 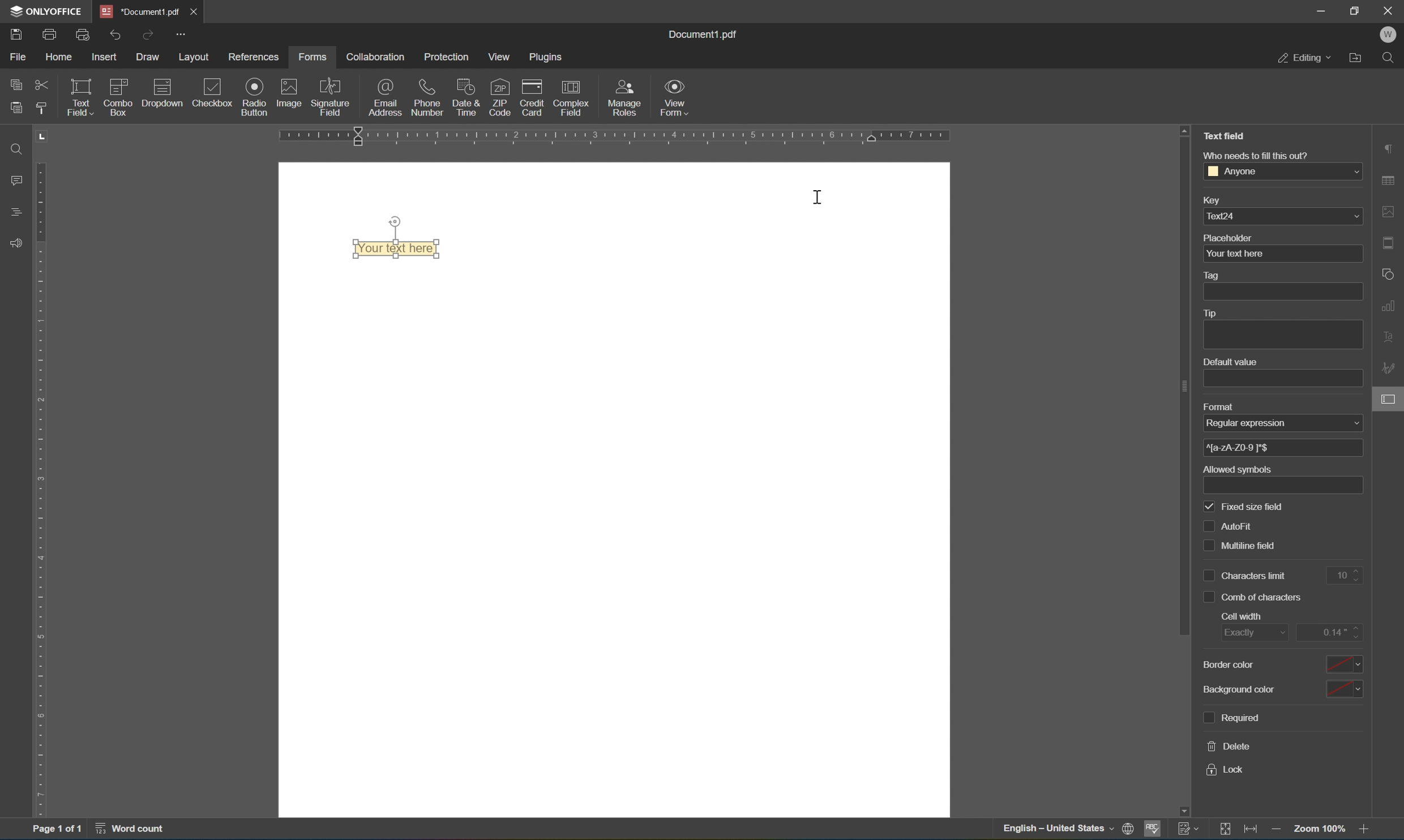 What do you see at coordinates (16, 105) in the screenshot?
I see `paste` at bounding box center [16, 105].